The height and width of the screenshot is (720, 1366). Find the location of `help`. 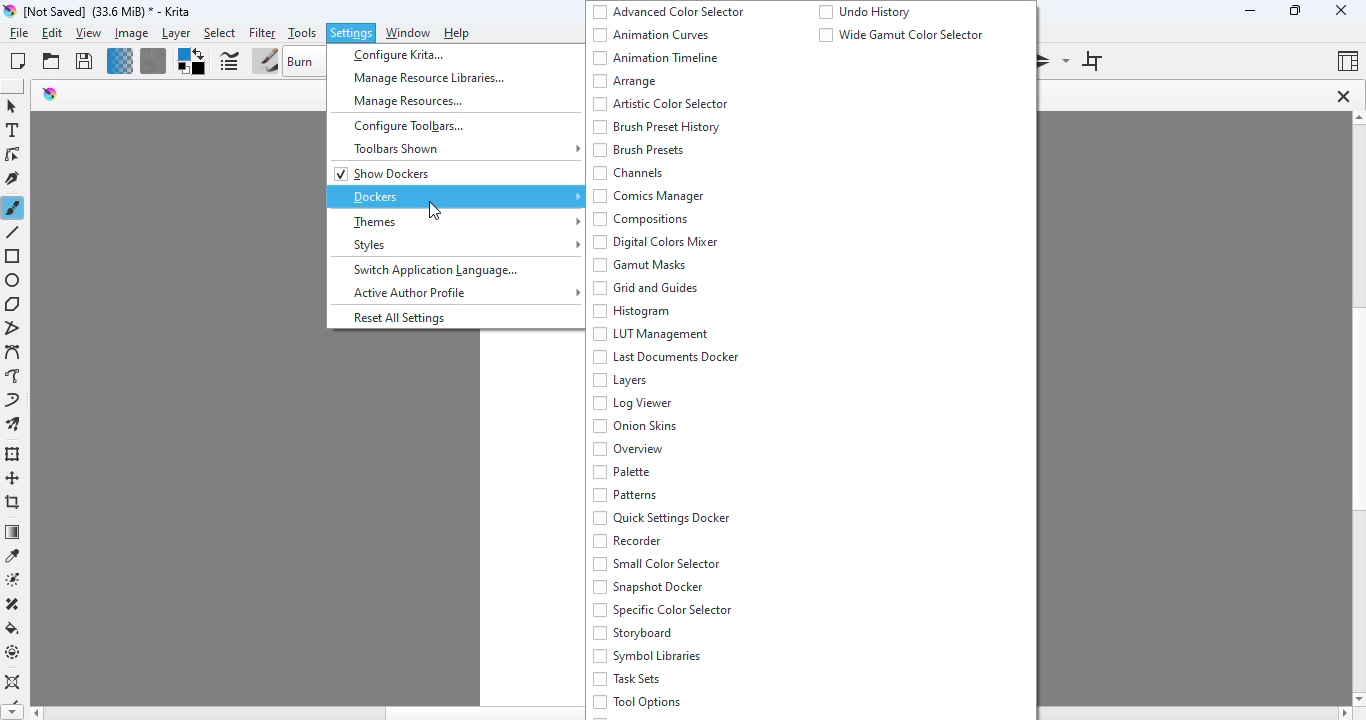

help is located at coordinates (458, 33).